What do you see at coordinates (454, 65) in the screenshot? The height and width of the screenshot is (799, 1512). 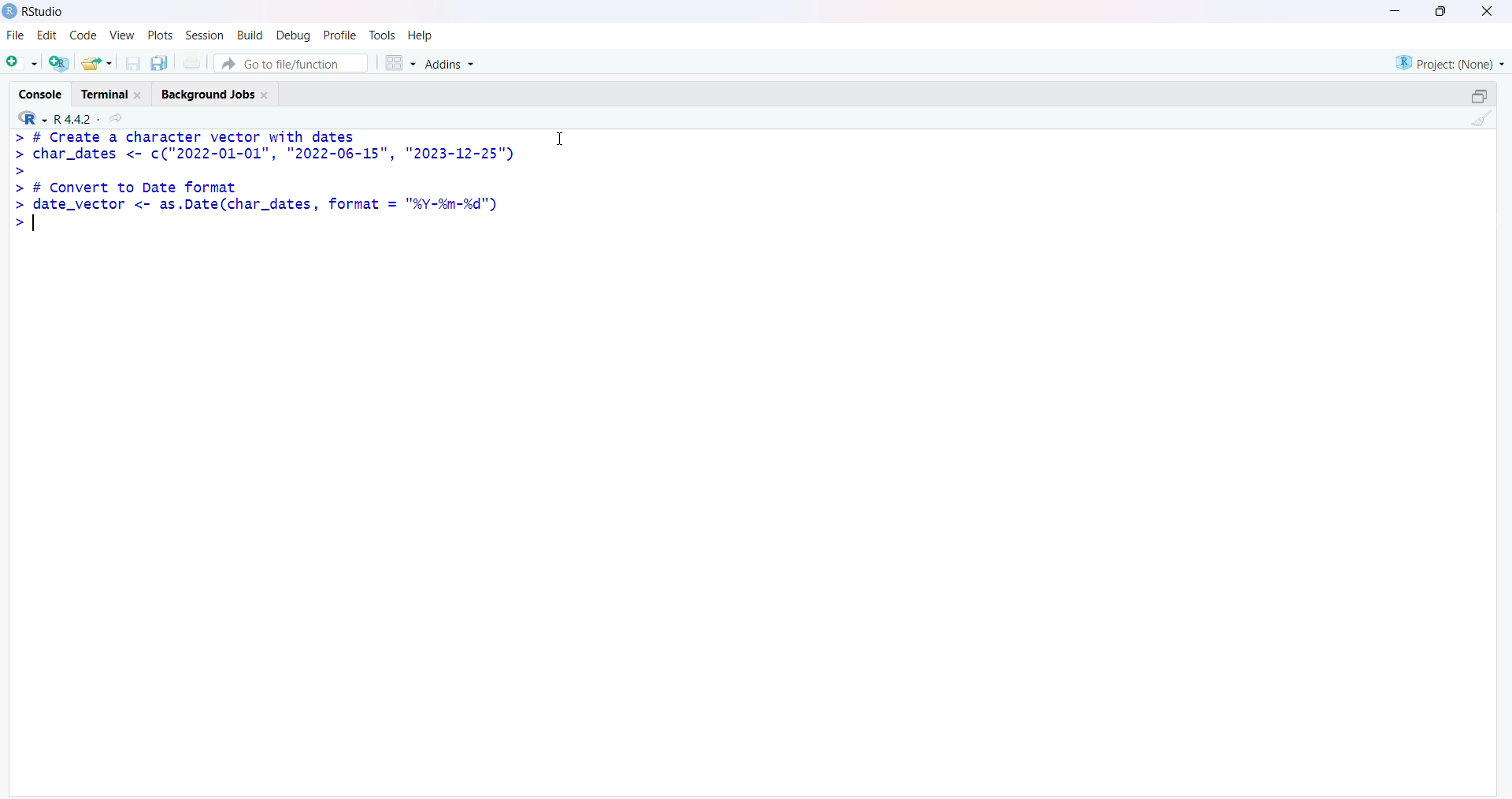 I see `Addins` at bounding box center [454, 65].